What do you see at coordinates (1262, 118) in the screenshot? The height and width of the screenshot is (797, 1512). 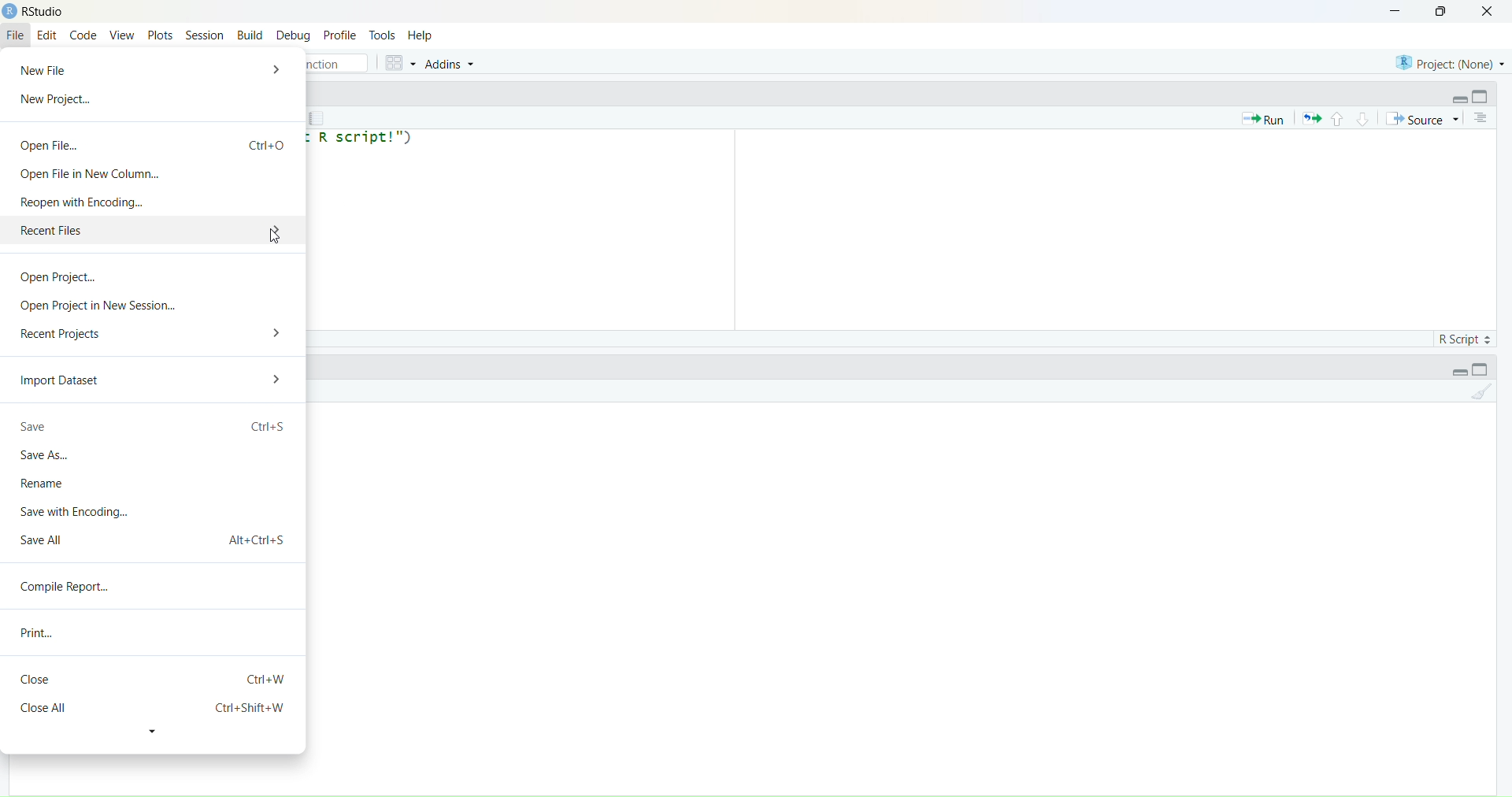 I see `Run the current line or selection (Ctrl + Enter)` at bounding box center [1262, 118].